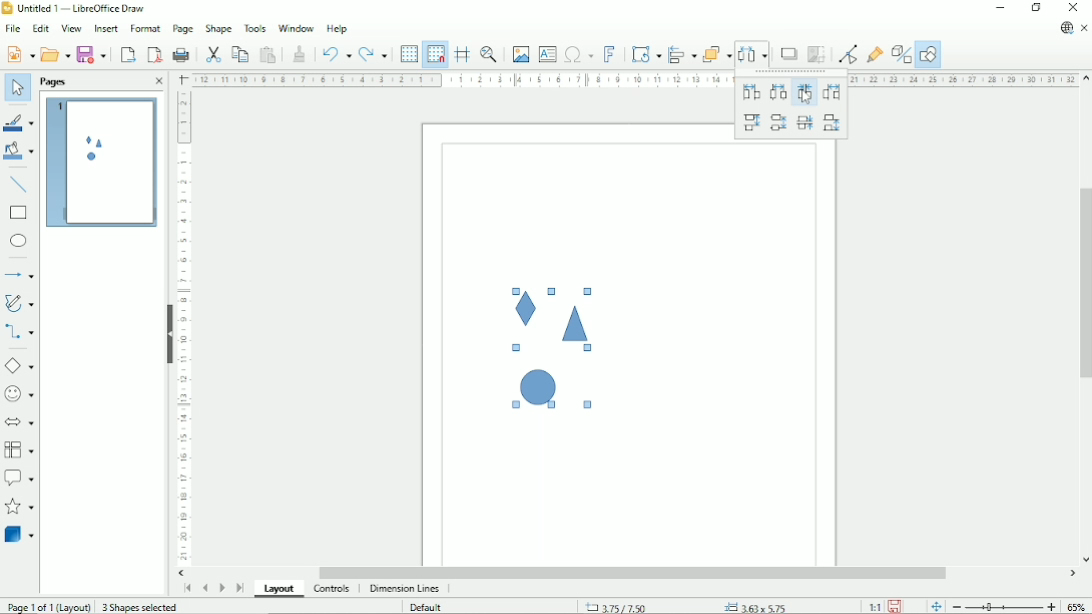 Image resolution: width=1092 pixels, height=614 pixels. I want to click on Insert, so click(105, 28).